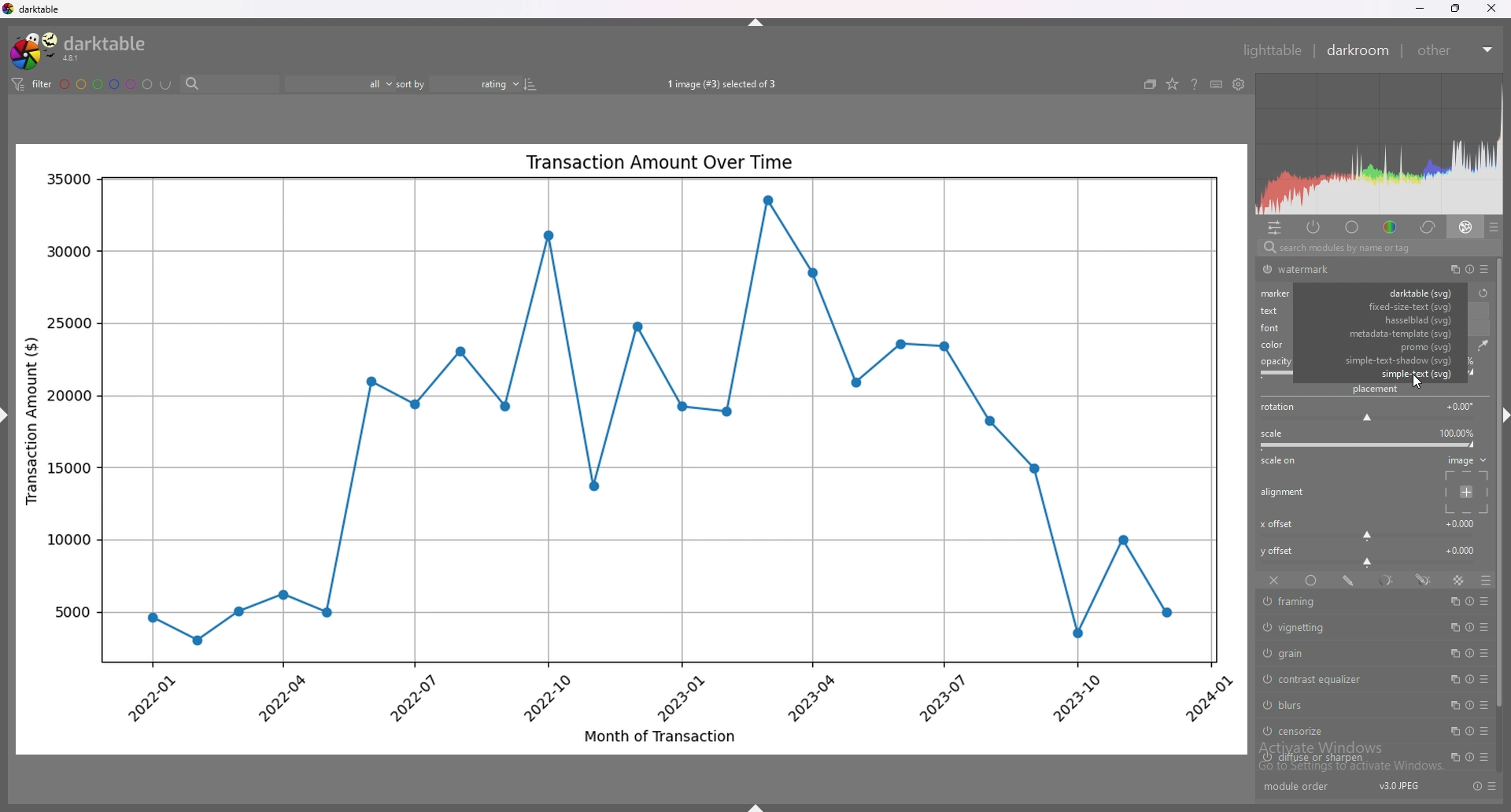  What do you see at coordinates (1267, 627) in the screenshot?
I see `switch off` at bounding box center [1267, 627].